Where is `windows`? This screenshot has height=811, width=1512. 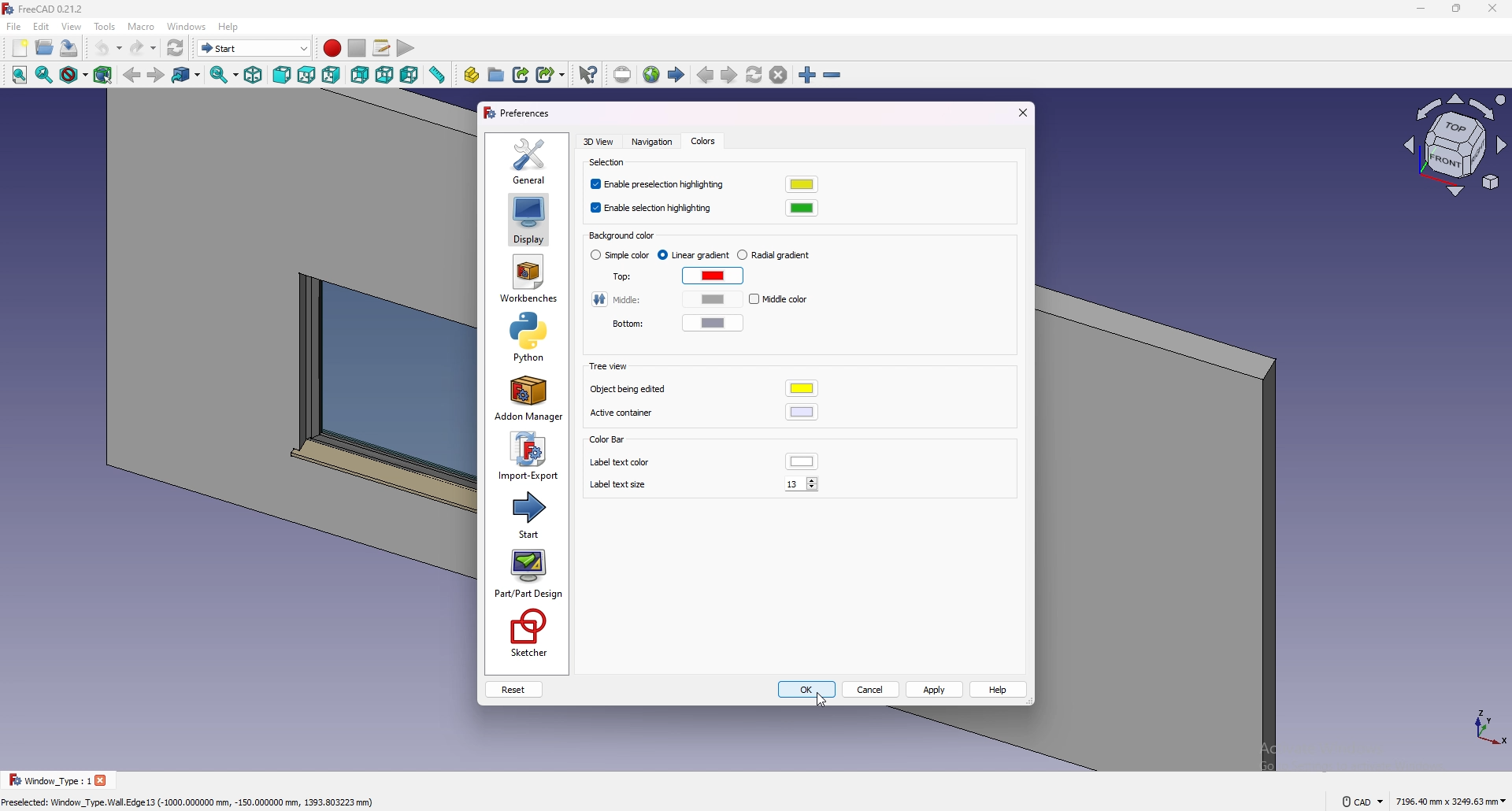
windows is located at coordinates (187, 26).